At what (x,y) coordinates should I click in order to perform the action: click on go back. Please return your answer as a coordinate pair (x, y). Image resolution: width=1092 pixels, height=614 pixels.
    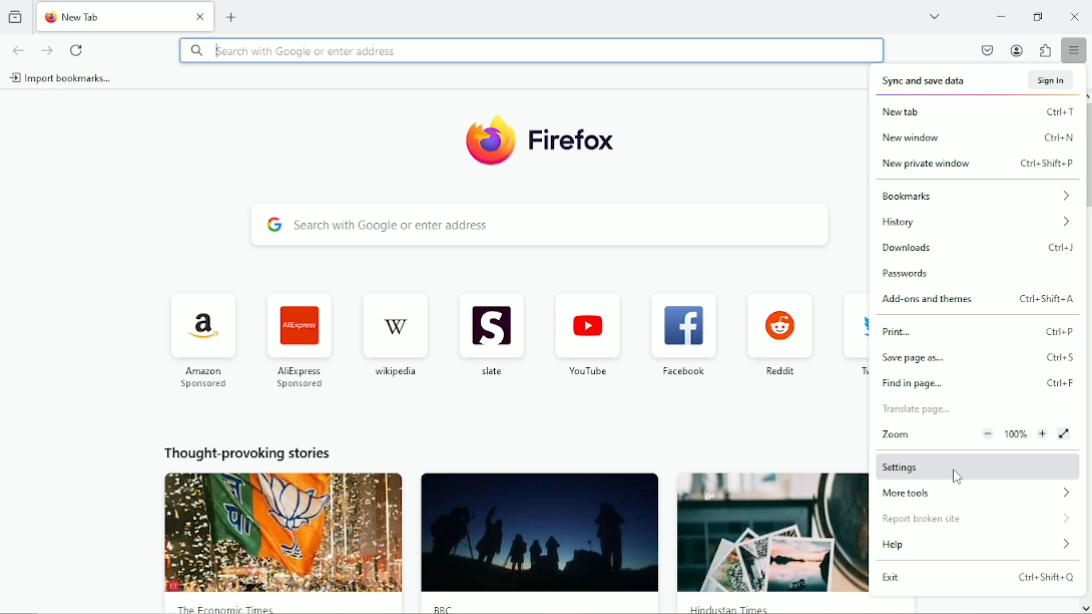
    Looking at the image, I should click on (17, 49).